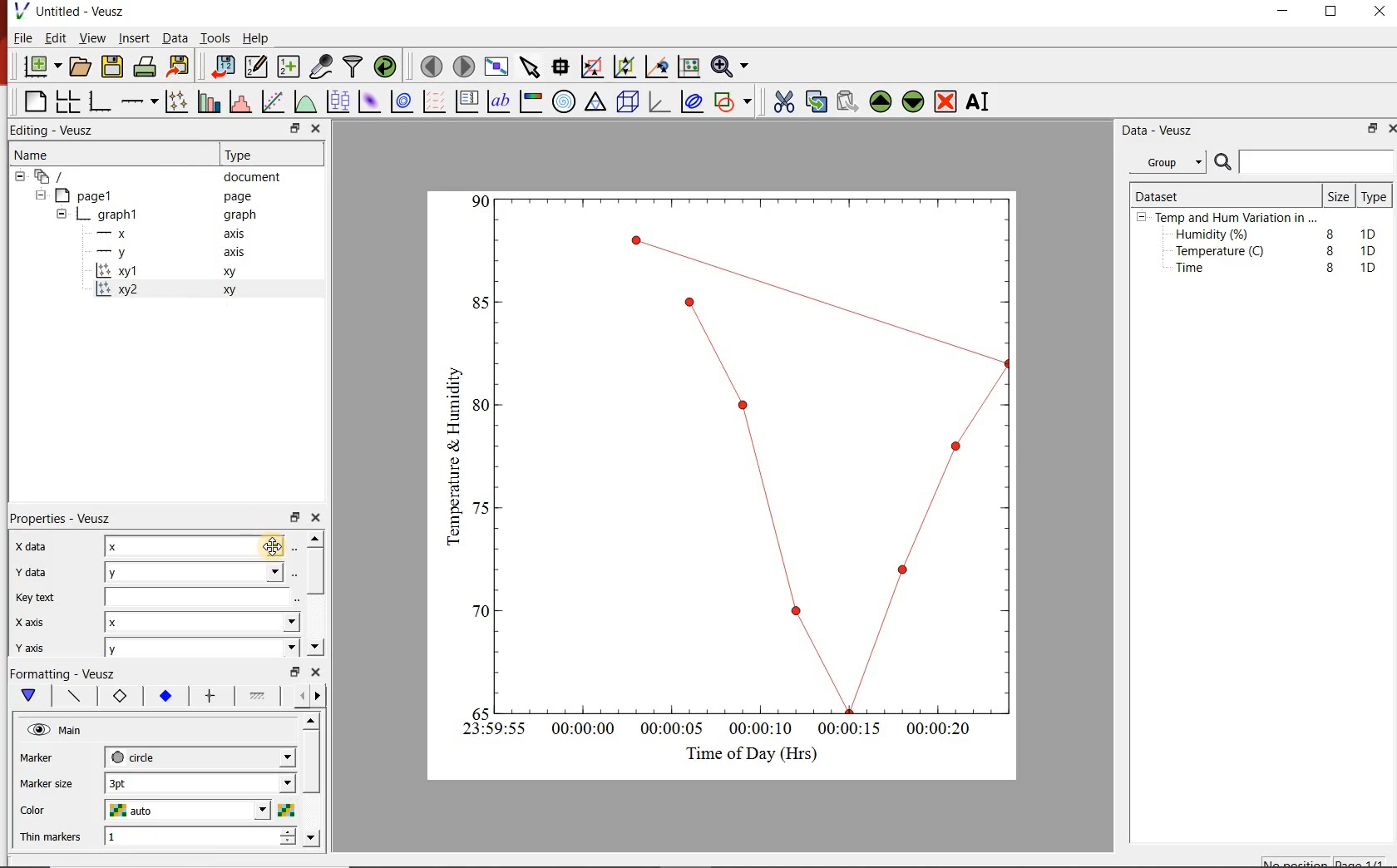  What do you see at coordinates (119, 214) in the screenshot?
I see `graph` at bounding box center [119, 214].